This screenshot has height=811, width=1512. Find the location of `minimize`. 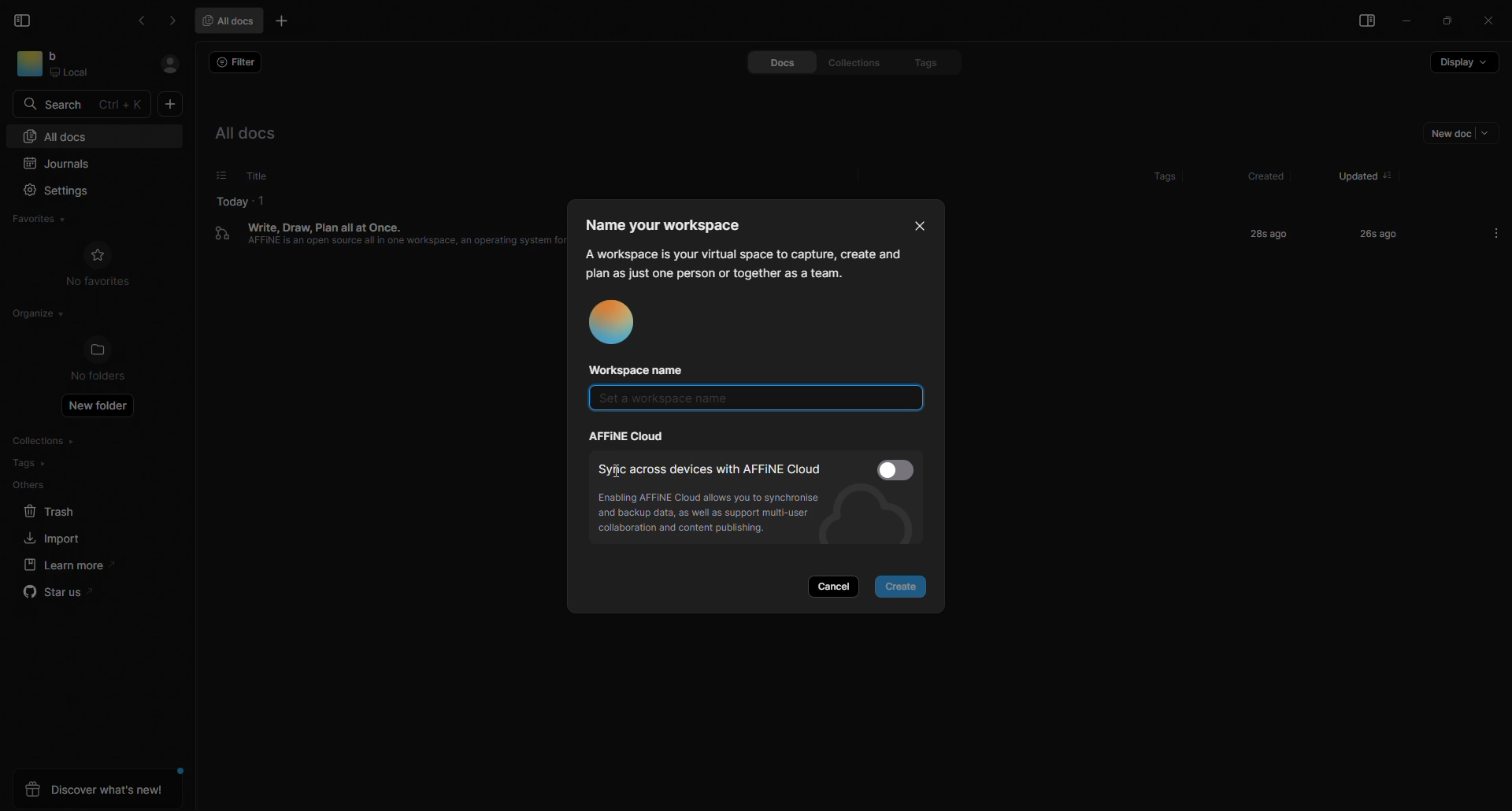

minimize is located at coordinates (1409, 23).